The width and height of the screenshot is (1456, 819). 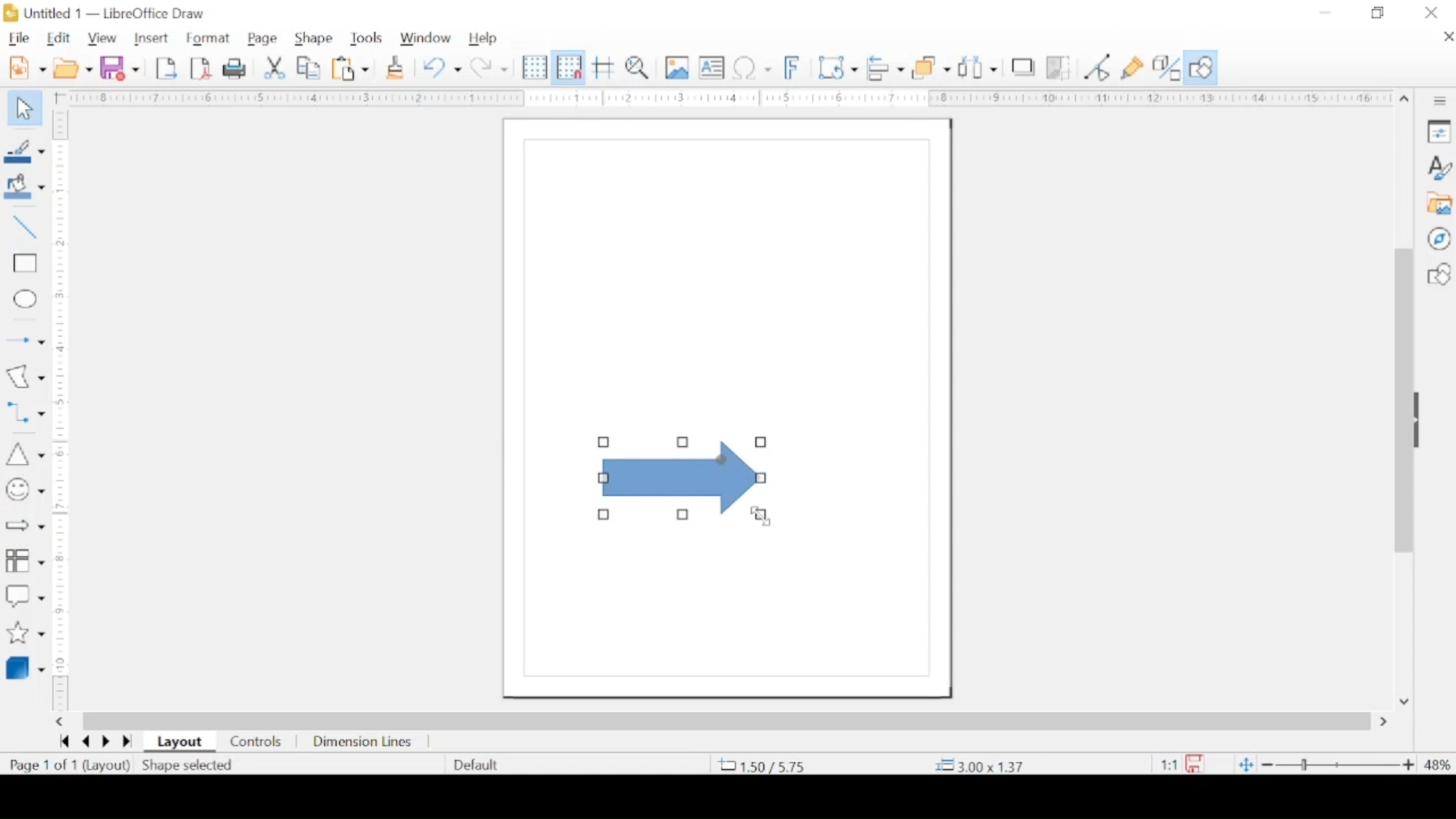 What do you see at coordinates (395, 67) in the screenshot?
I see `clone formatting` at bounding box center [395, 67].